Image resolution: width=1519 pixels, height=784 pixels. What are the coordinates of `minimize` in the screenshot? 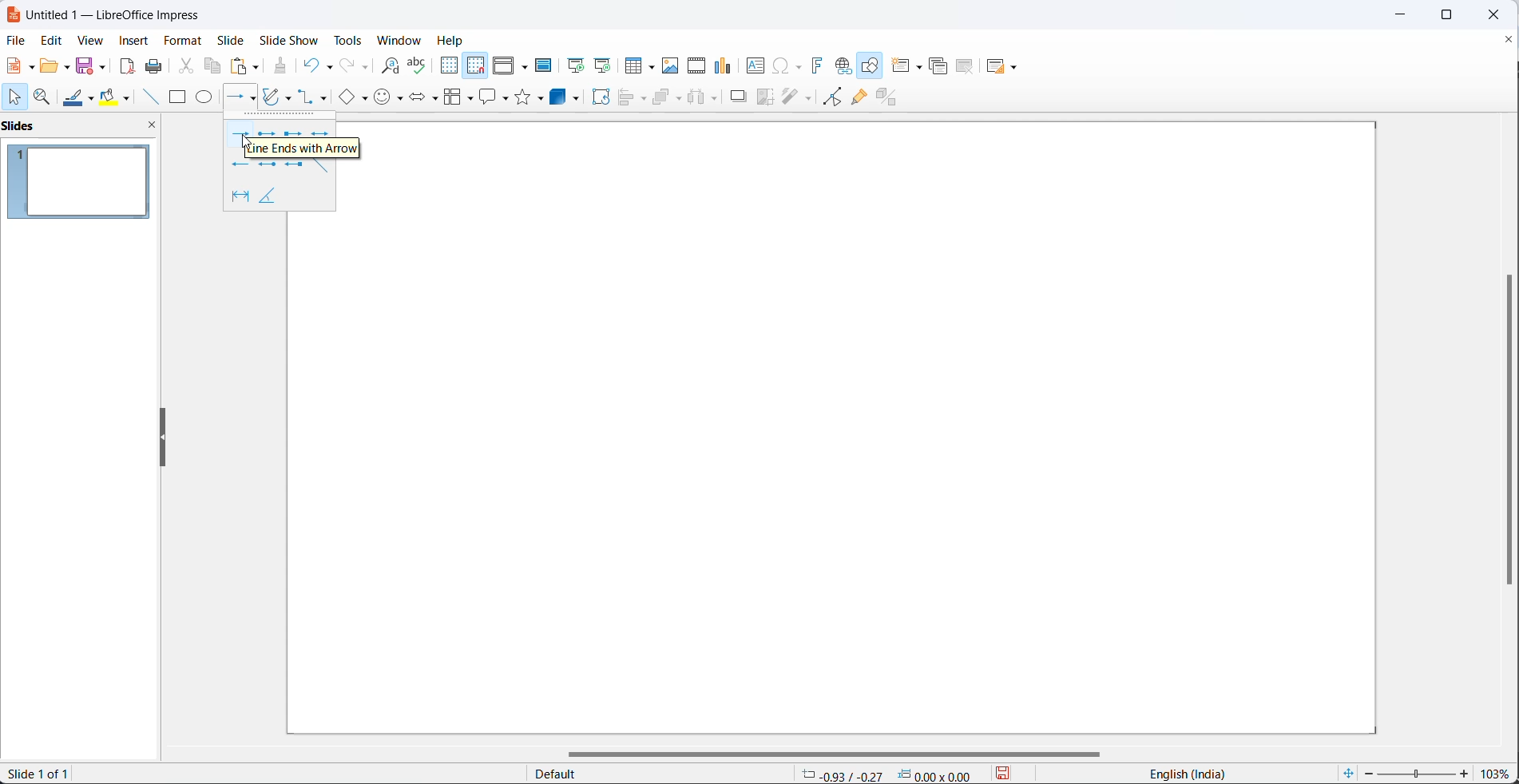 It's located at (1400, 14).